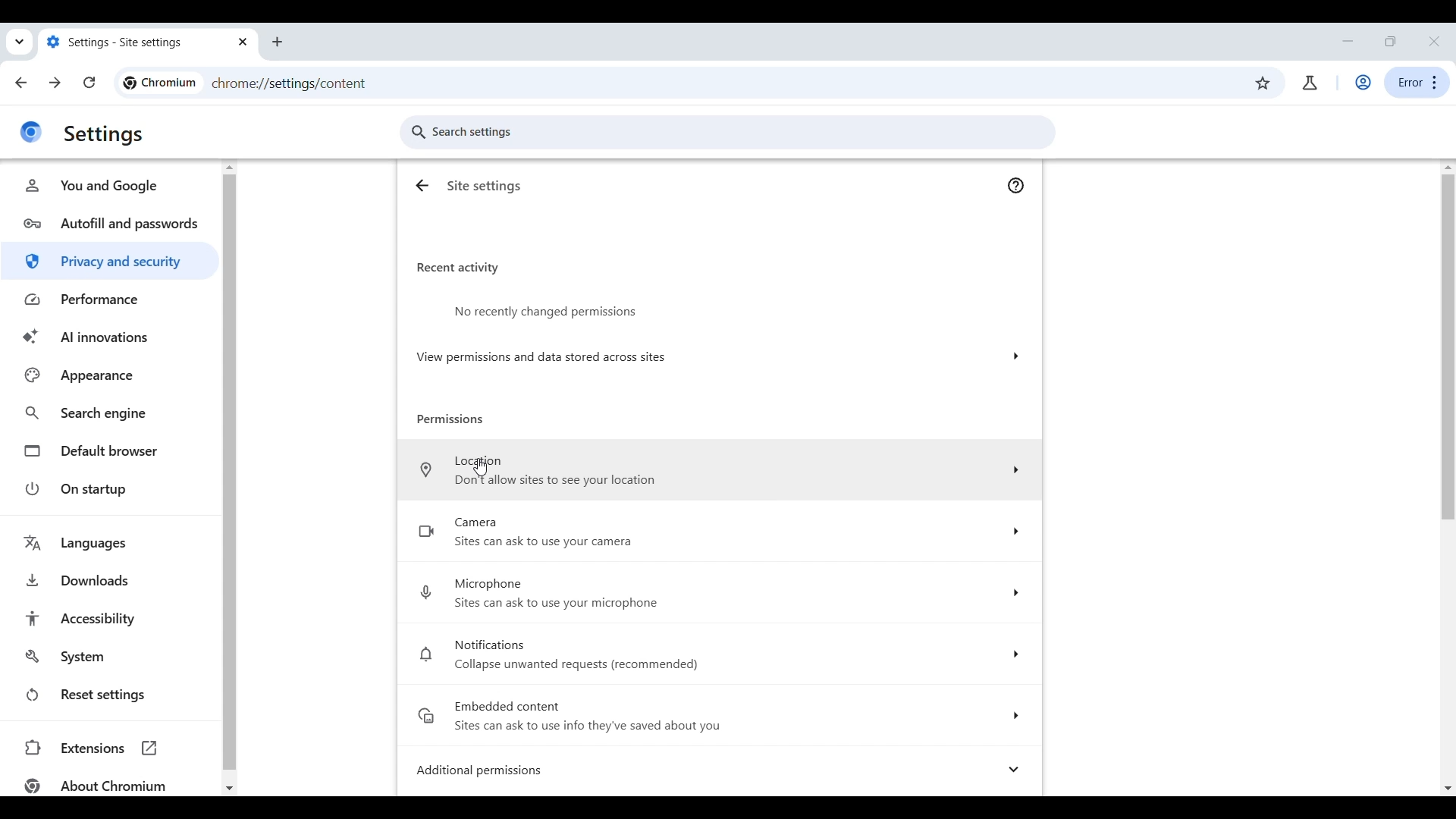 This screenshot has height=819, width=1456. What do you see at coordinates (720, 715) in the screenshot?
I see `Embedded content: sites can ask to use info they've saved about you` at bounding box center [720, 715].